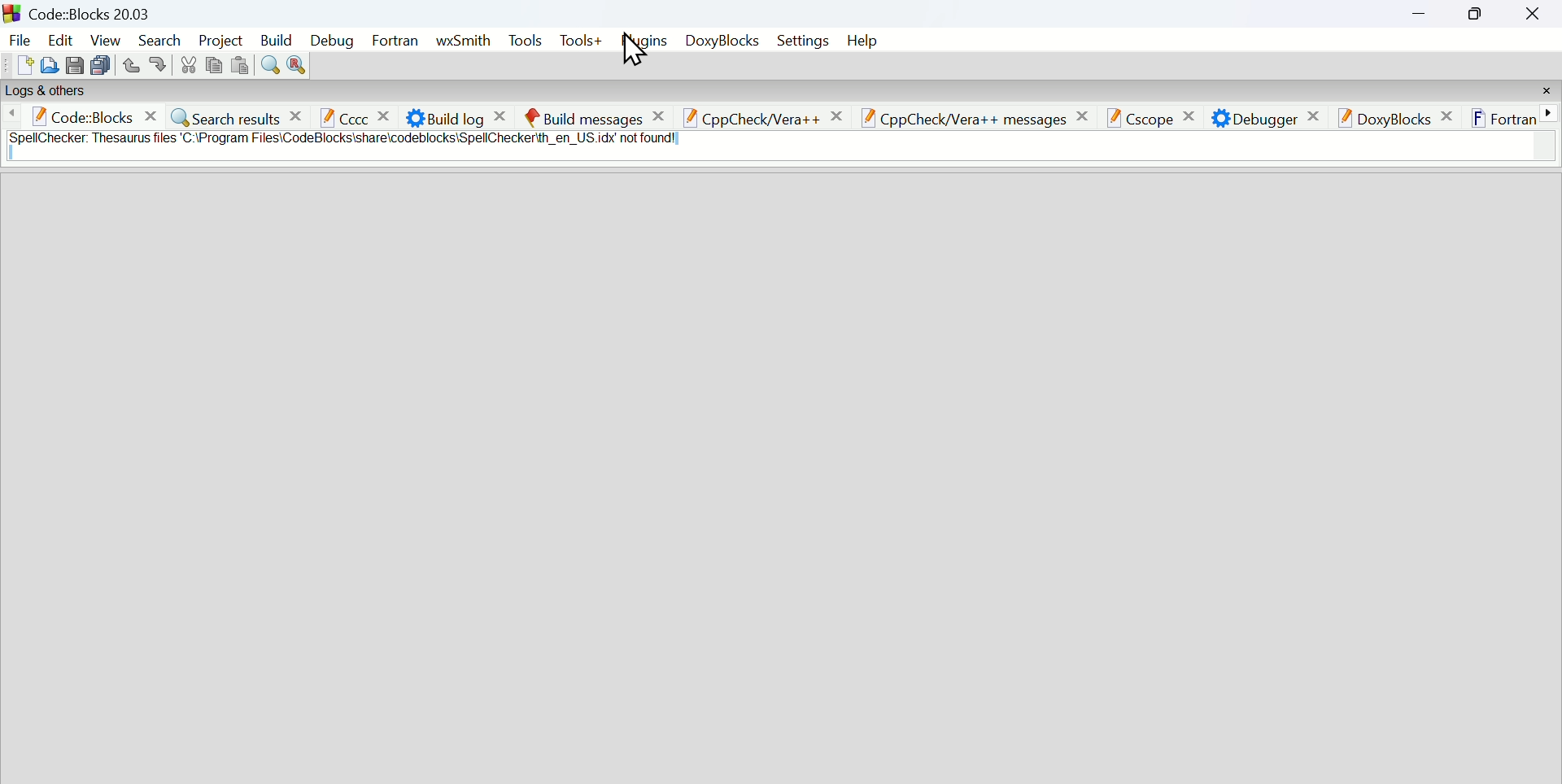 The width and height of the screenshot is (1562, 784). Describe the element at coordinates (460, 115) in the screenshot. I see `Build log` at that location.